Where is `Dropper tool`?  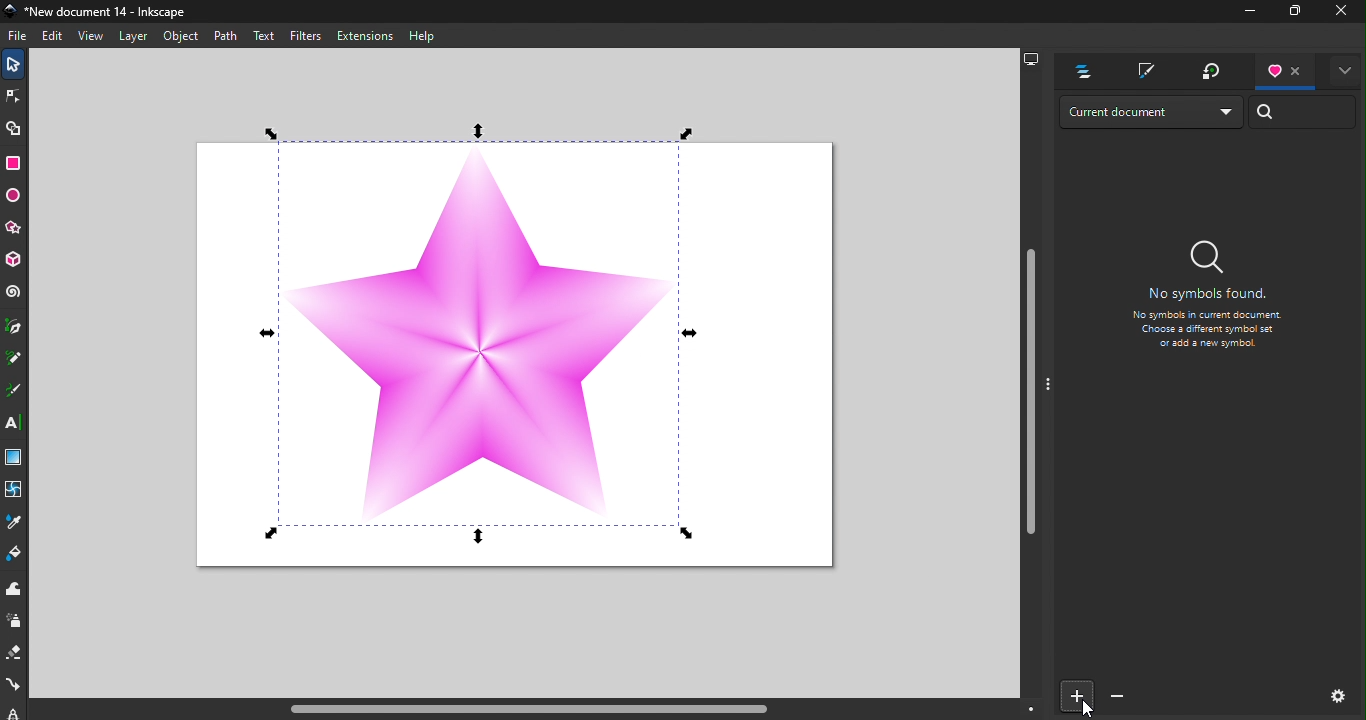
Dropper tool is located at coordinates (13, 521).